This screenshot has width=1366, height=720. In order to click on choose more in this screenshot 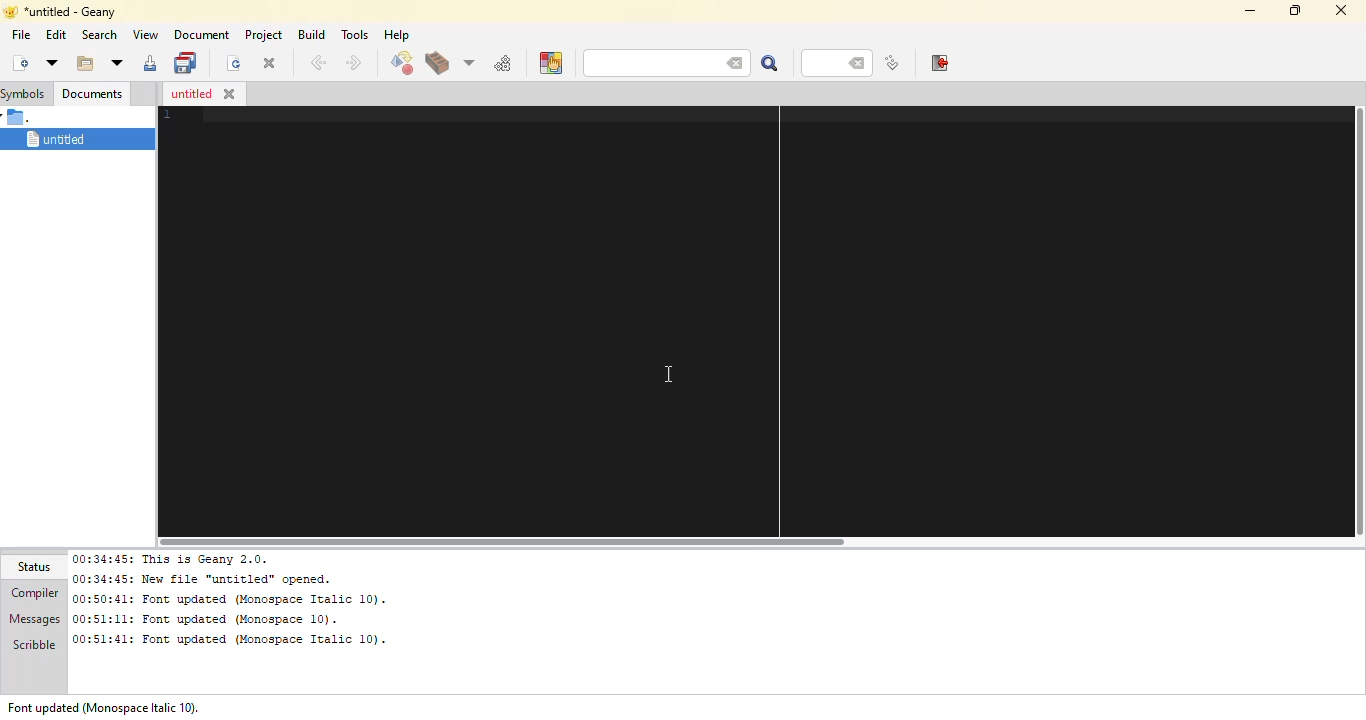, I will do `click(467, 62)`.